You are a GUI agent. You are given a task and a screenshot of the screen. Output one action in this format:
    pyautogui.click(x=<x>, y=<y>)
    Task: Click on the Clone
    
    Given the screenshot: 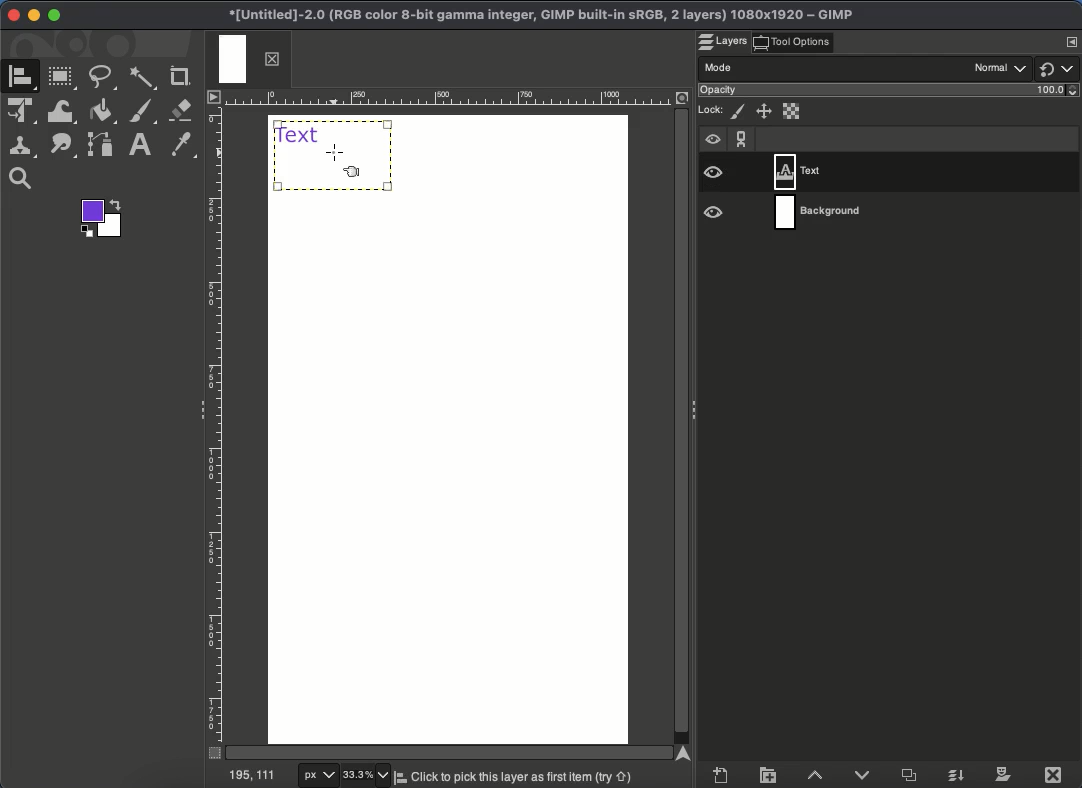 What is the action you would take?
    pyautogui.click(x=24, y=146)
    